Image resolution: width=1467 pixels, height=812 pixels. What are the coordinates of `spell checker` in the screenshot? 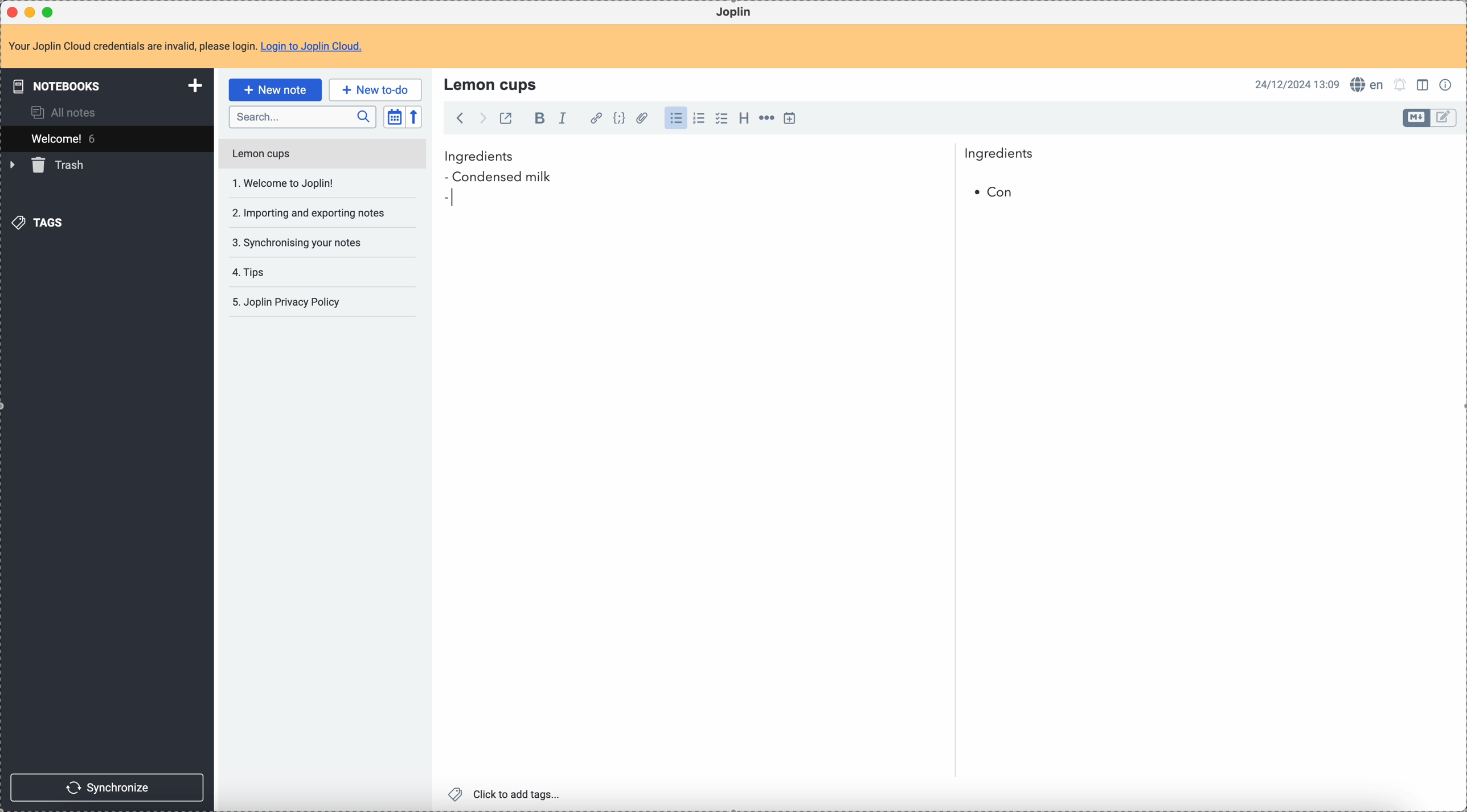 It's located at (1370, 84).